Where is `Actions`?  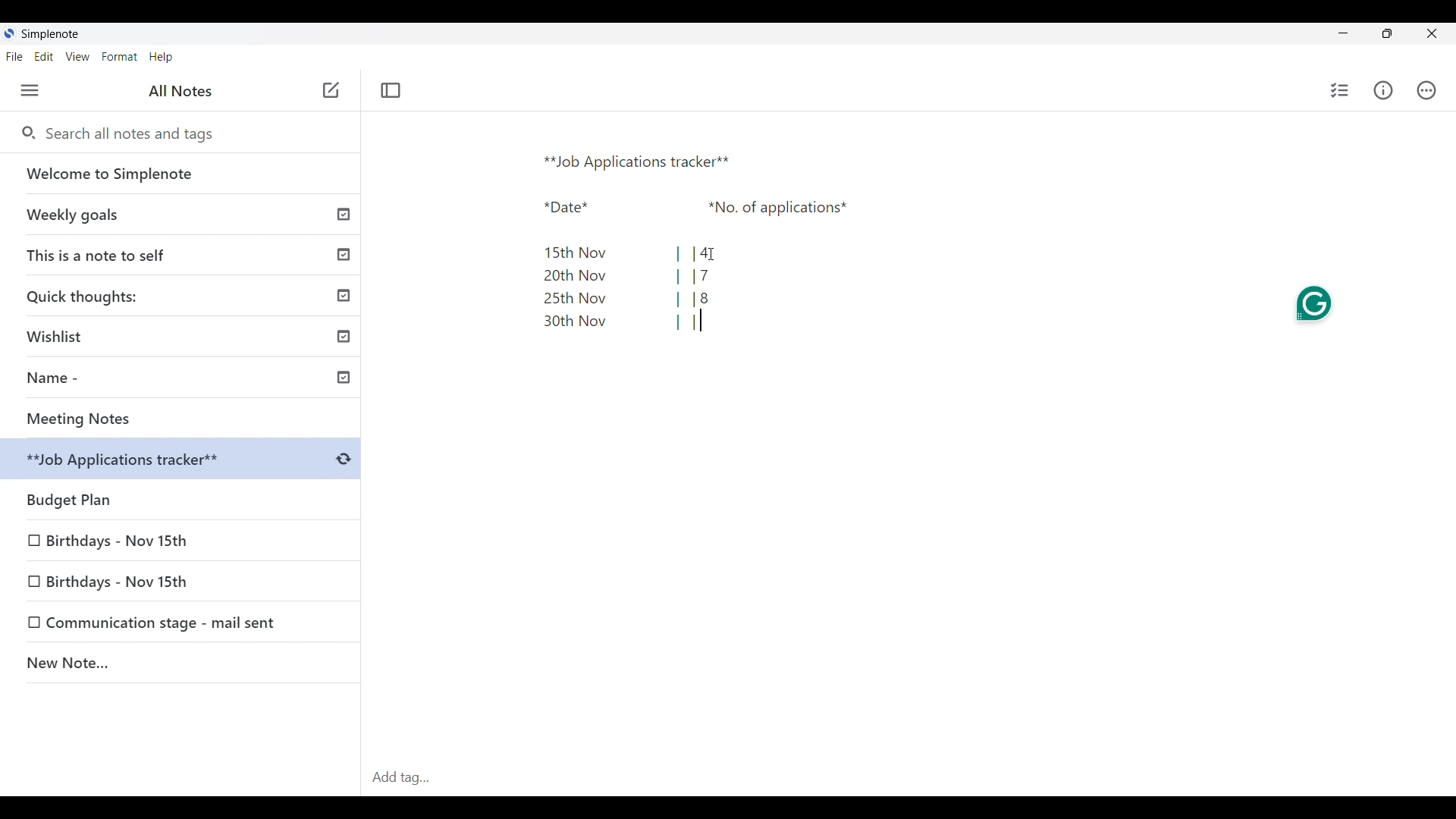
Actions is located at coordinates (1426, 90).